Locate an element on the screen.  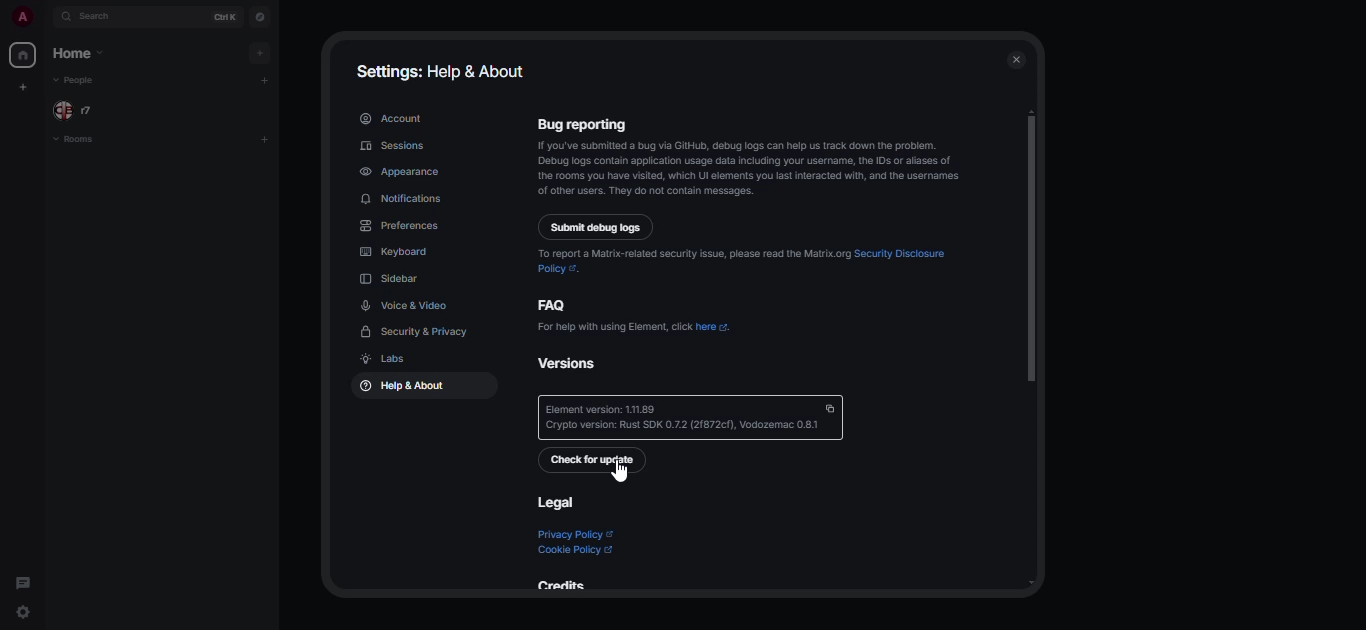
legal is located at coordinates (556, 500).